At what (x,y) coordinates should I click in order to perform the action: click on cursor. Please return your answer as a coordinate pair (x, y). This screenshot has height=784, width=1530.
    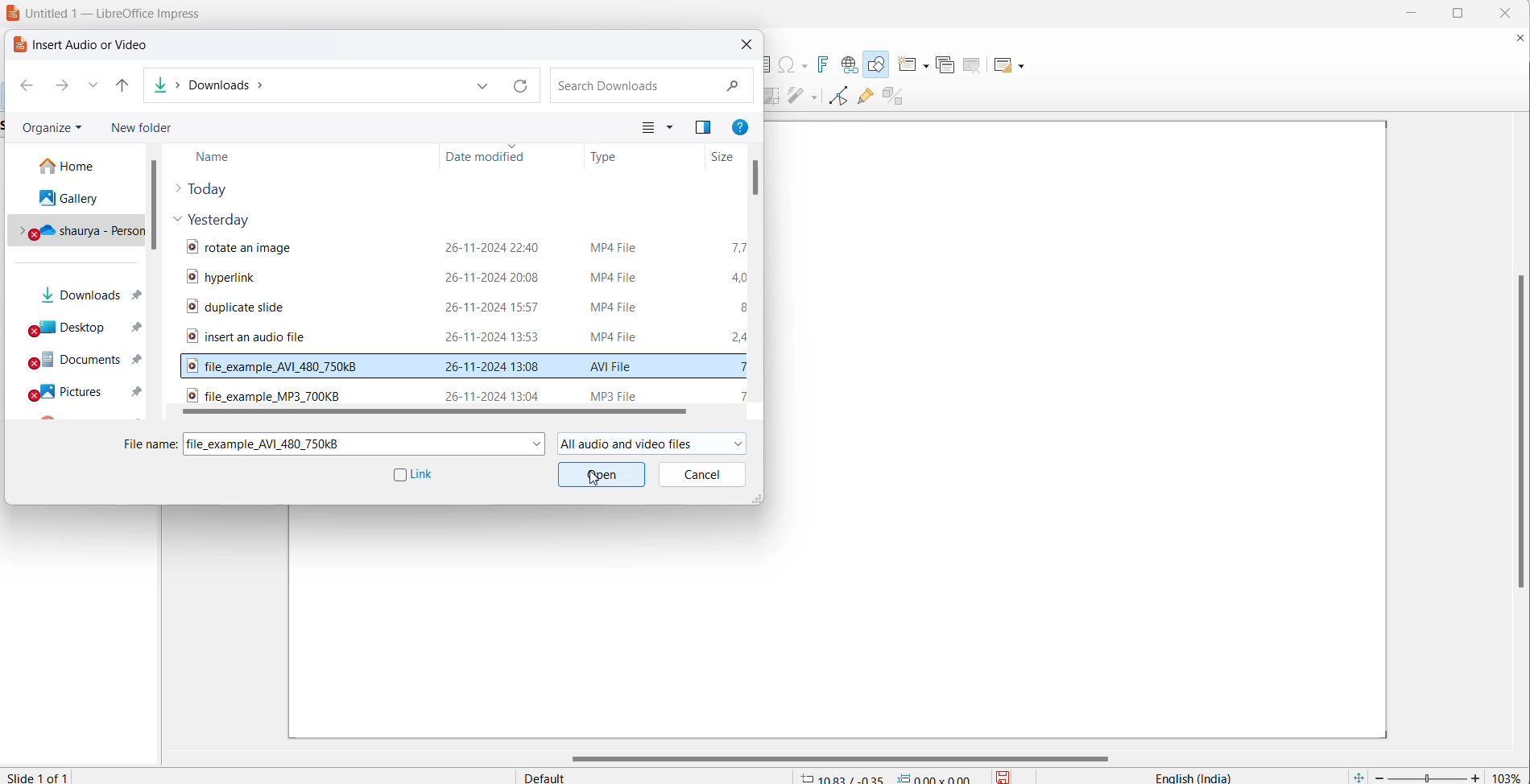
    Looking at the image, I should click on (596, 481).